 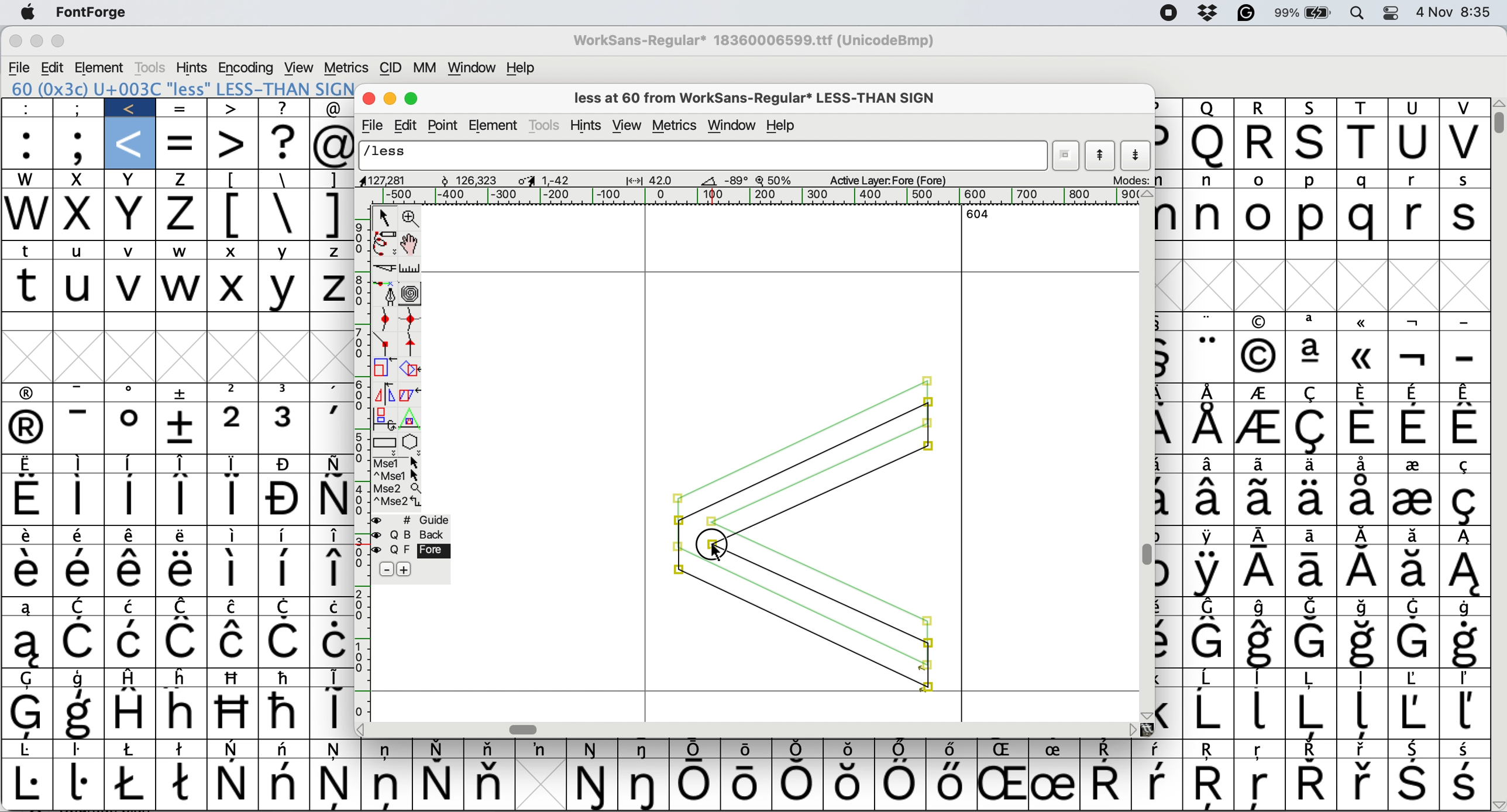 I want to click on maximize, so click(x=414, y=99).